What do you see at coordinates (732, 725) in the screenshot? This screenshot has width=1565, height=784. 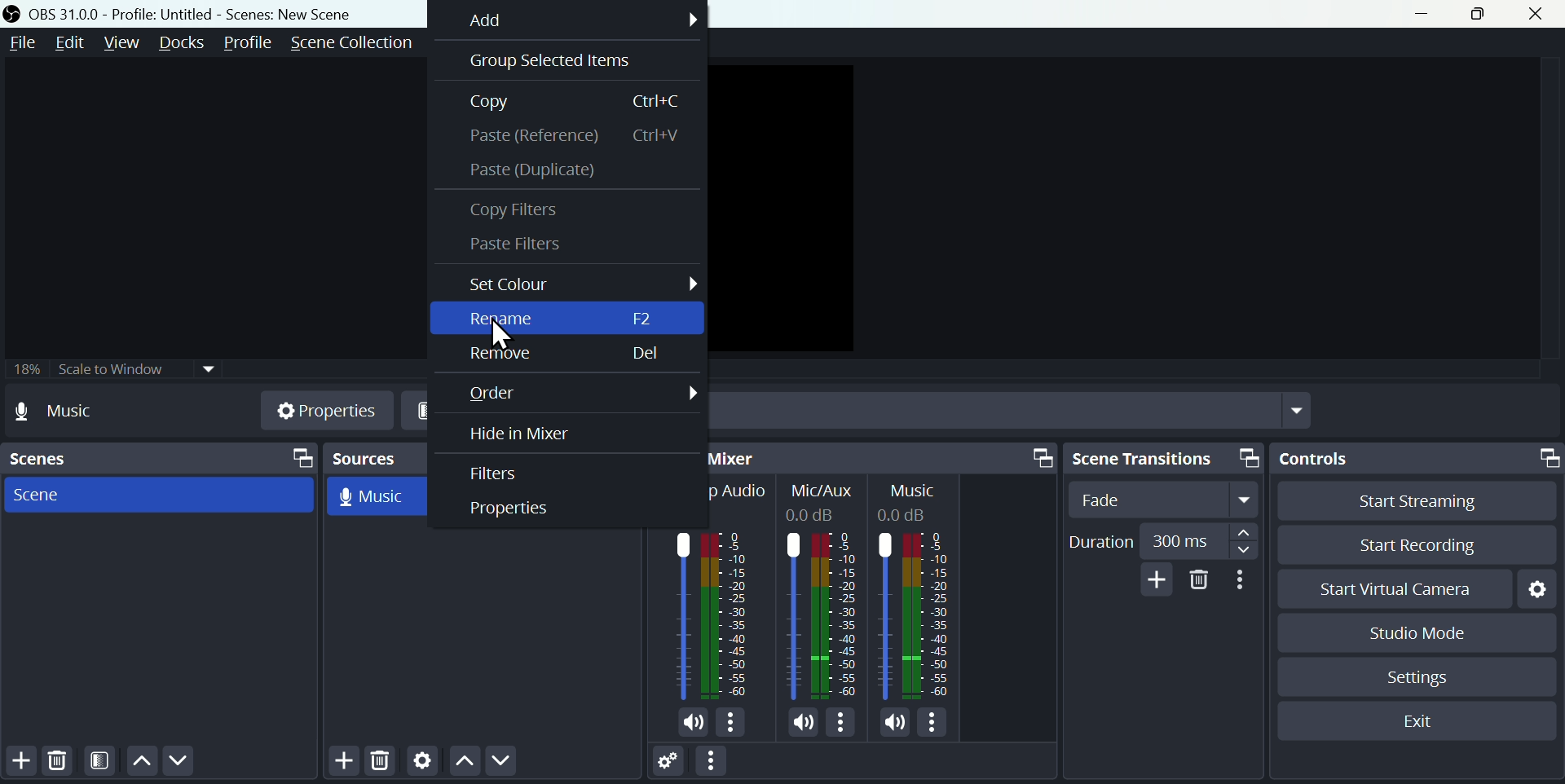 I see `Options` at bounding box center [732, 725].